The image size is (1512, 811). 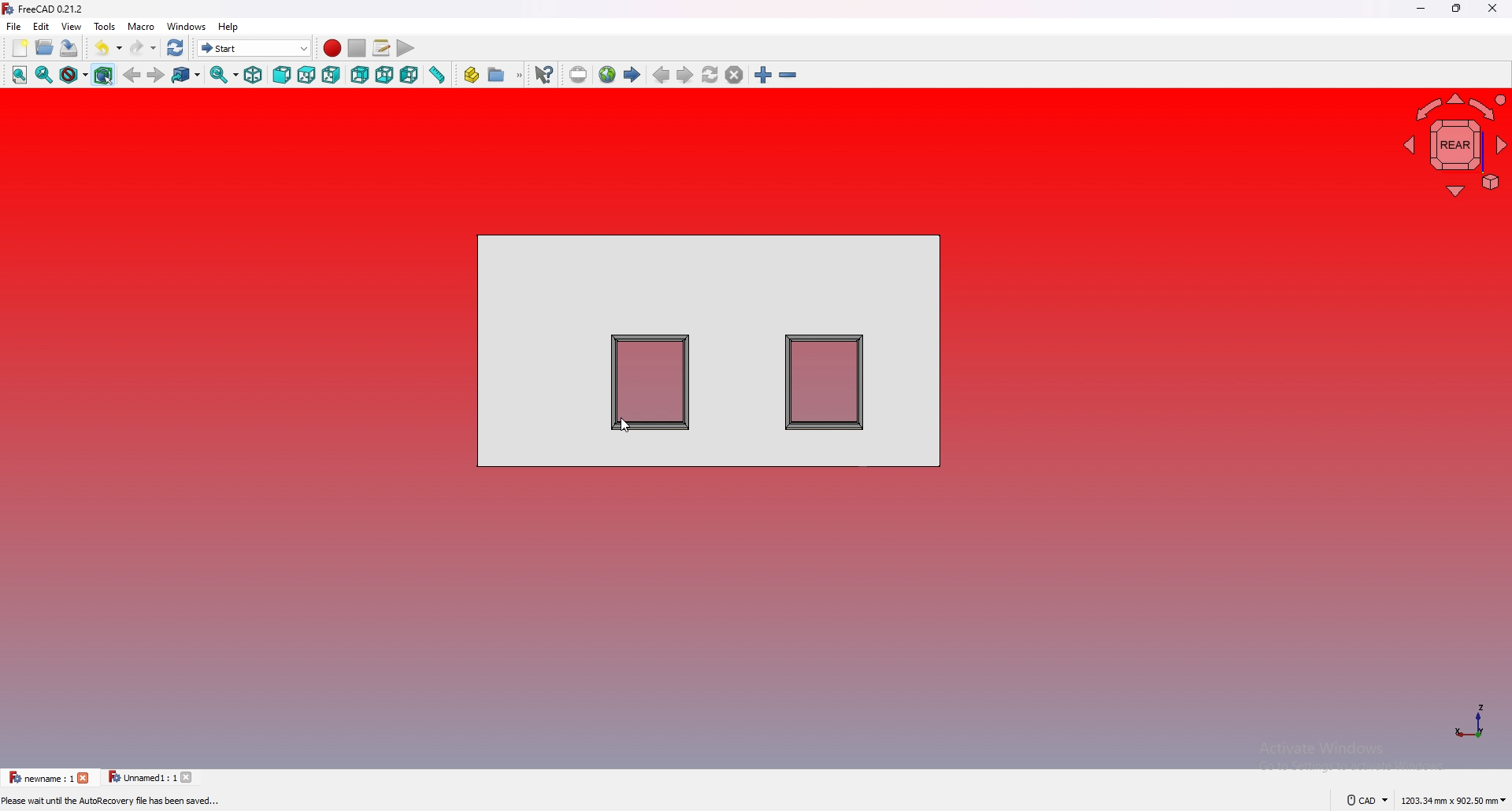 What do you see at coordinates (543, 74) in the screenshot?
I see `what's this?` at bounding box center [543, 74].